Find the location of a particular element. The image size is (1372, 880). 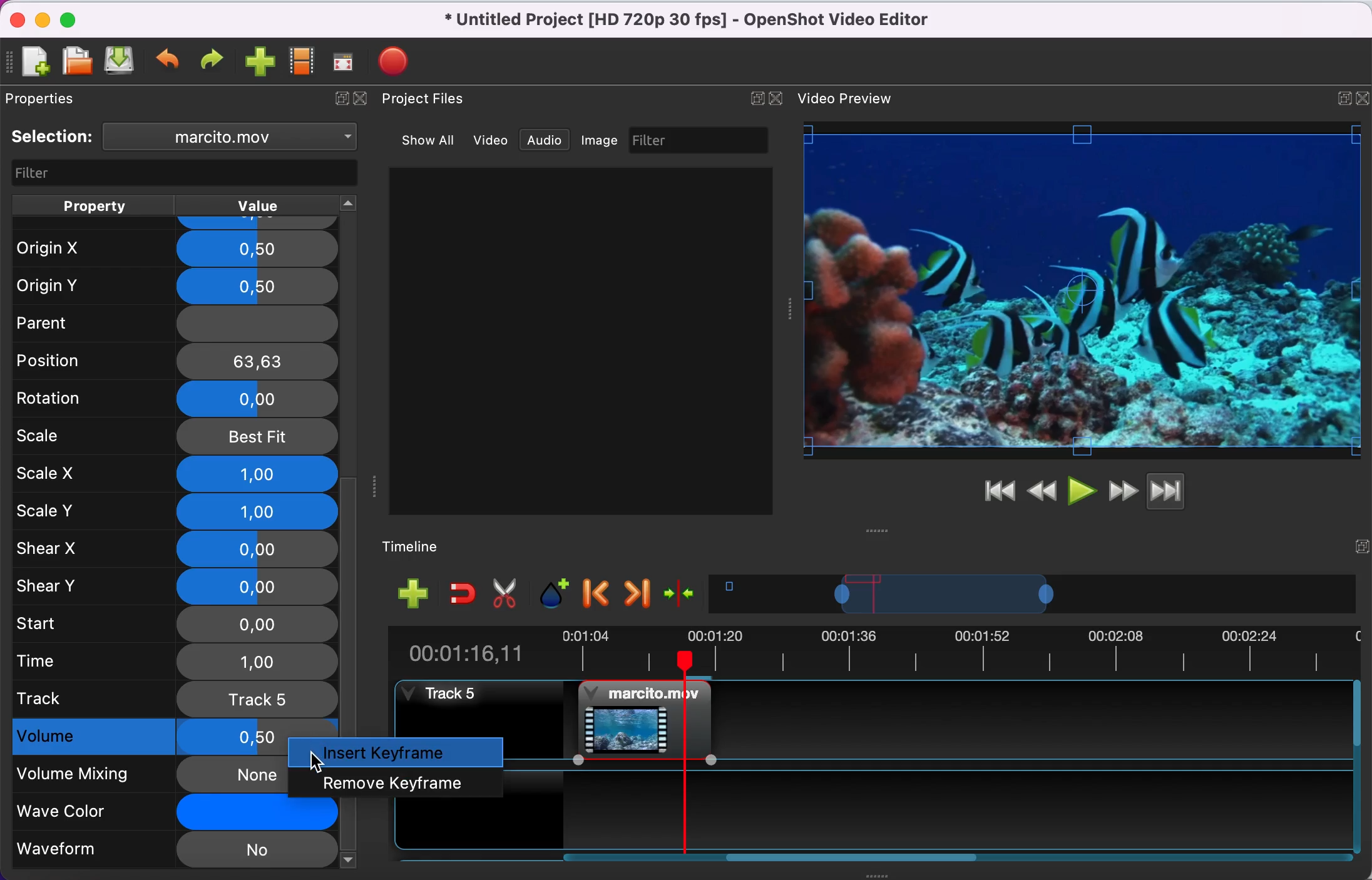

close is located at coordinates (14, 18).